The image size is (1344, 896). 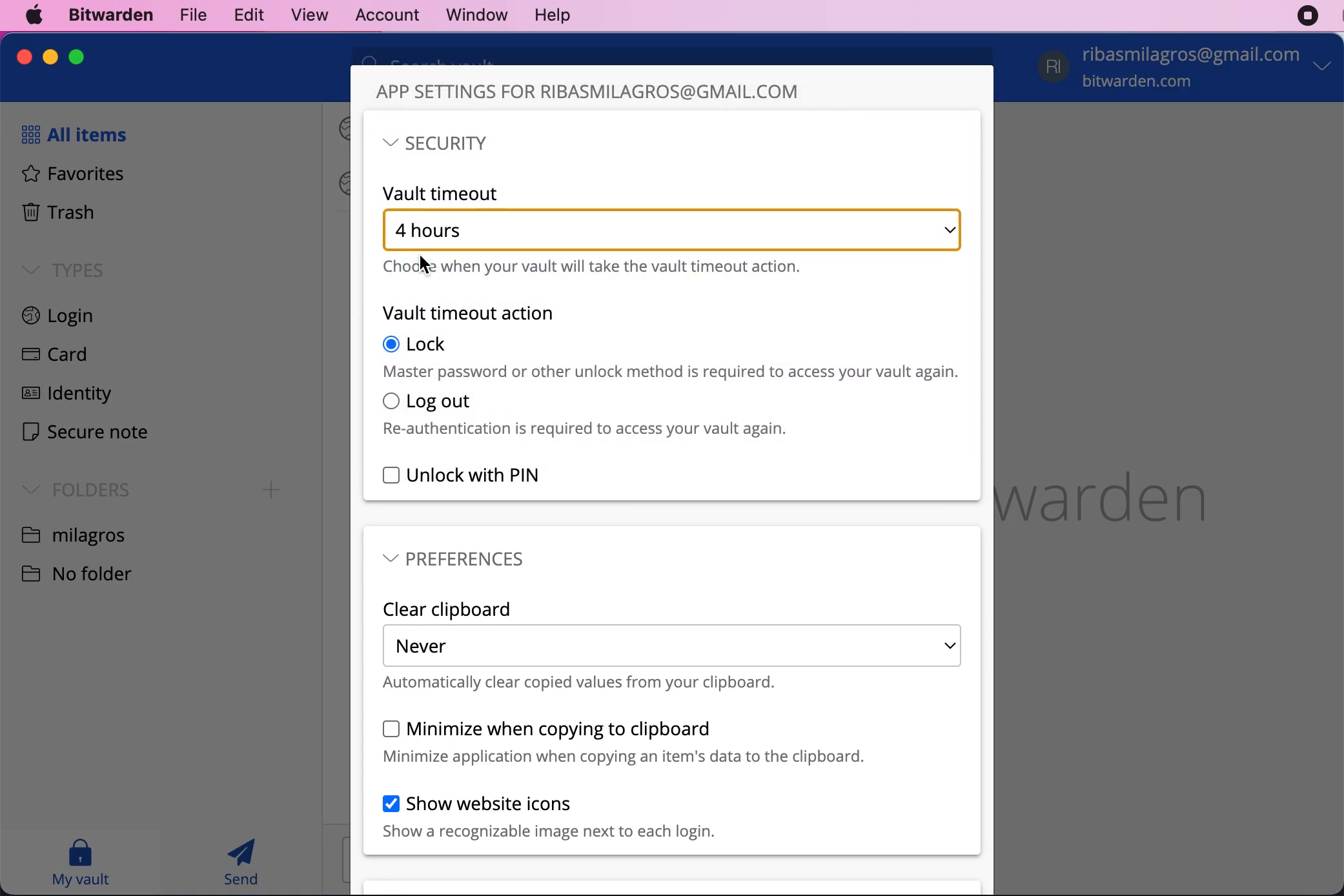 I want to click on clear clipboard, so click(x=449, y=609).